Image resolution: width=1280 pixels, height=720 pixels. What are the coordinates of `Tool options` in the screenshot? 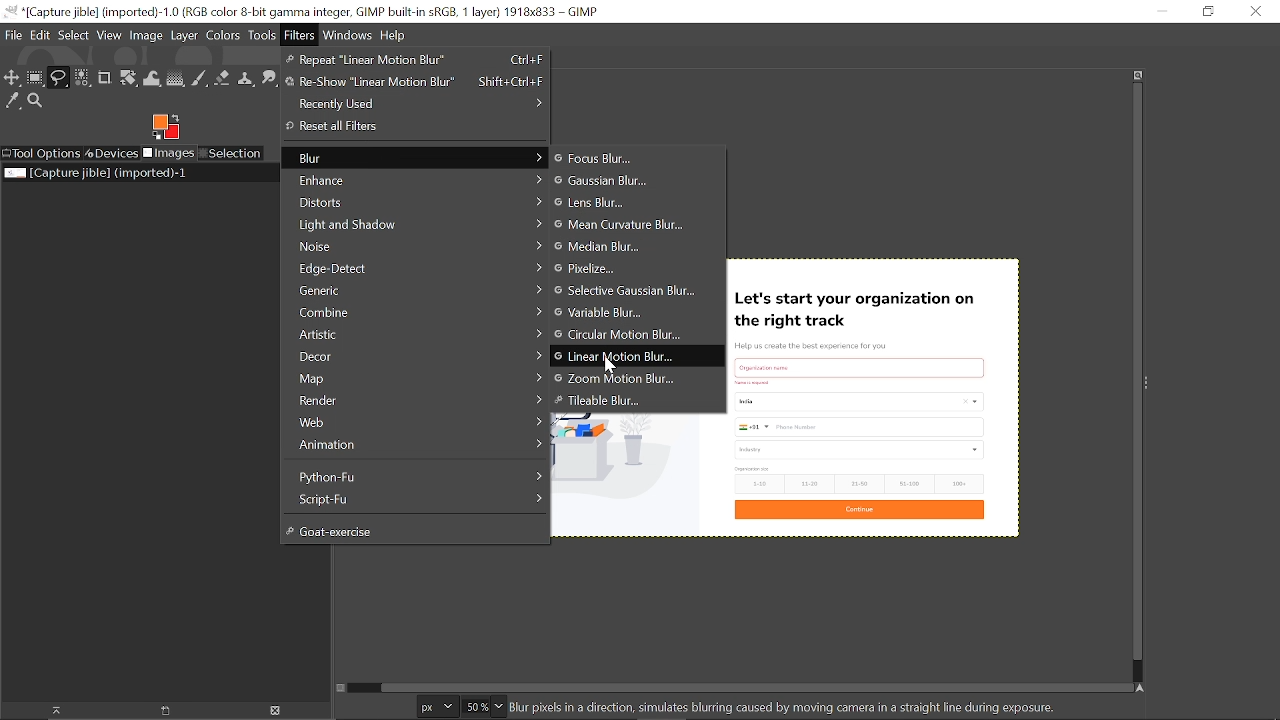 It's located at (41, 154).